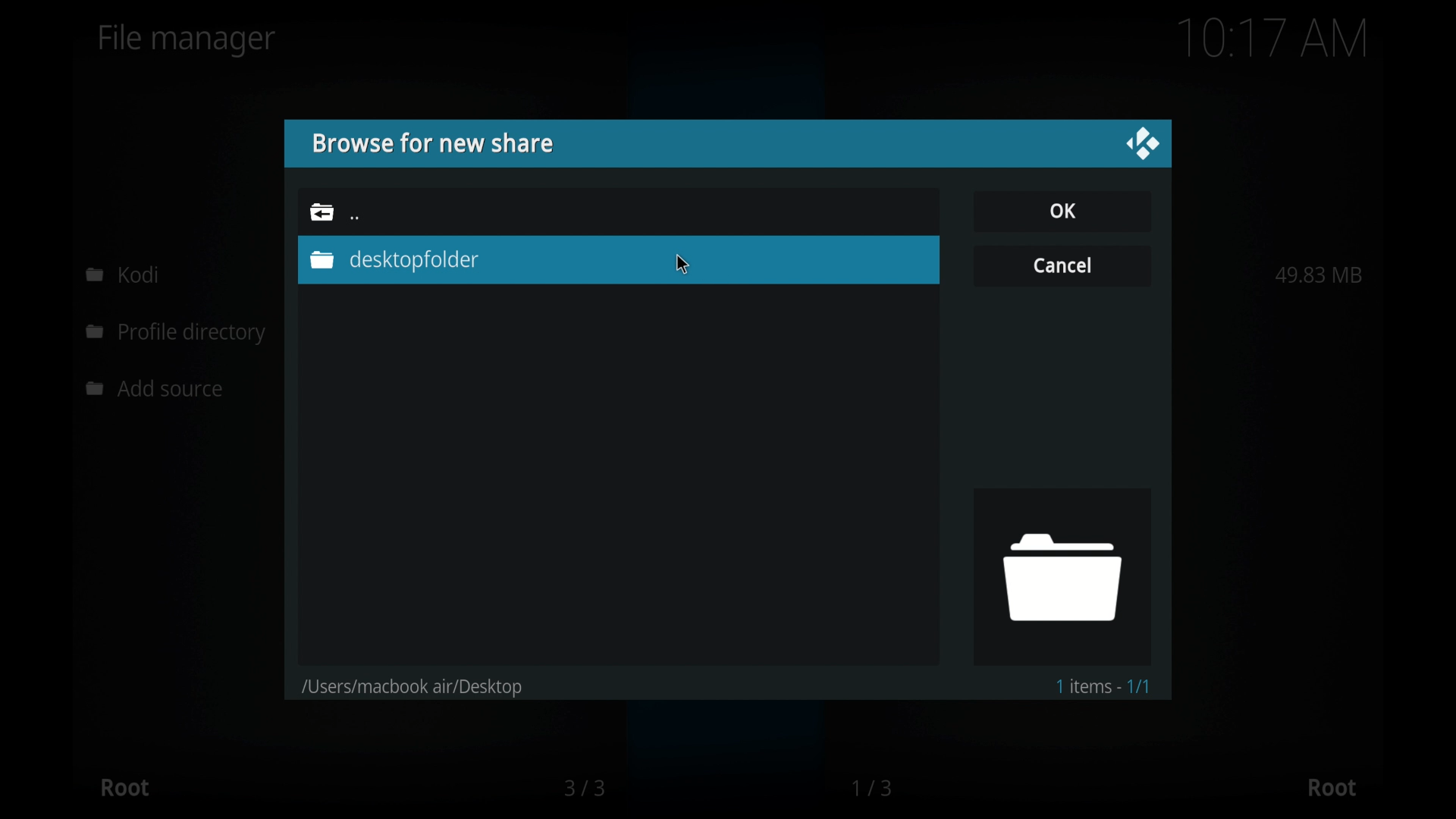 The image size is (1456, 819). I want to click on ok, so click(1062, 210).